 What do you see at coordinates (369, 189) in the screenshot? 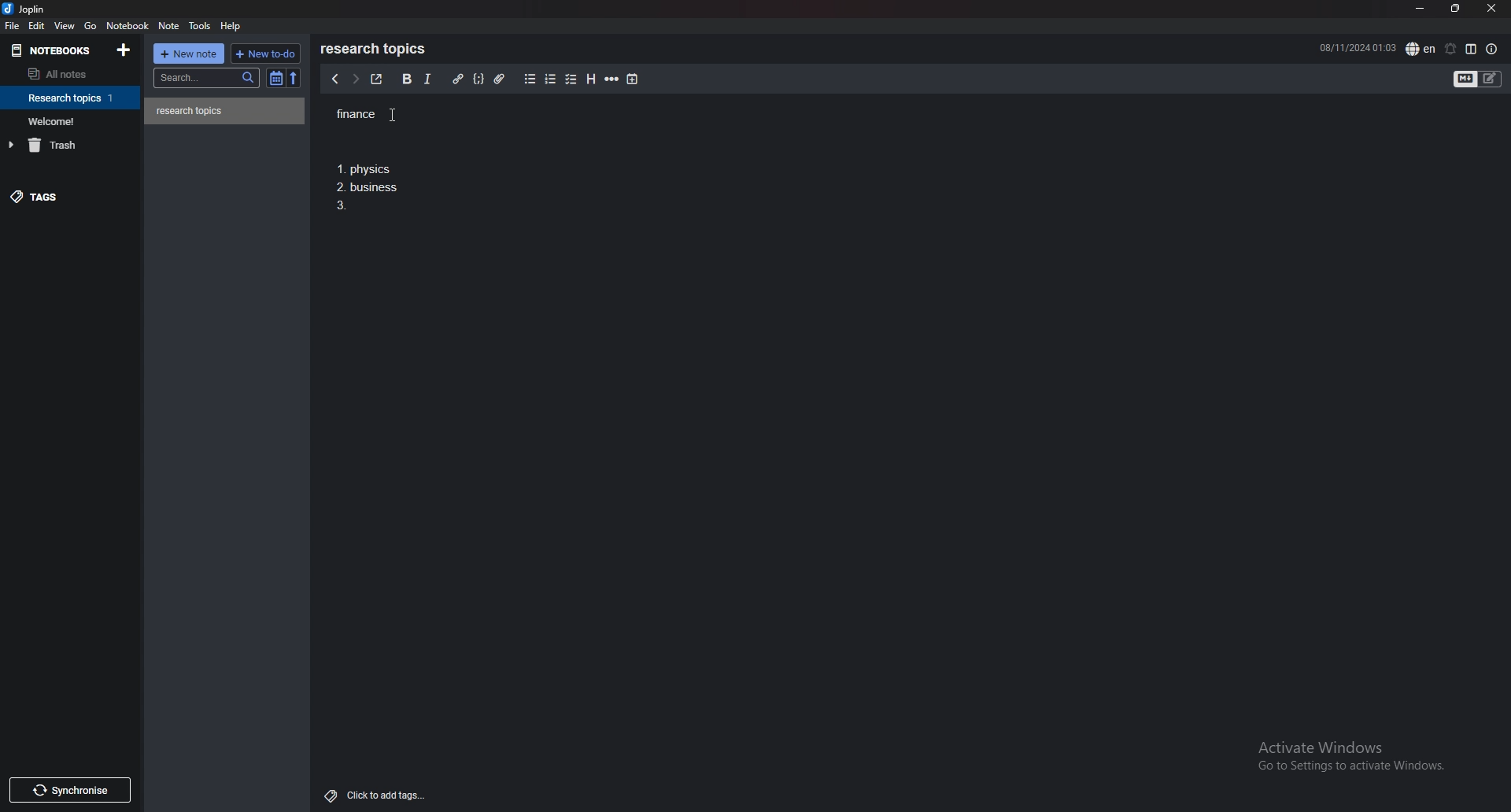
I see `1. Physics 2. business 3.` at bounding box center [369, 189].